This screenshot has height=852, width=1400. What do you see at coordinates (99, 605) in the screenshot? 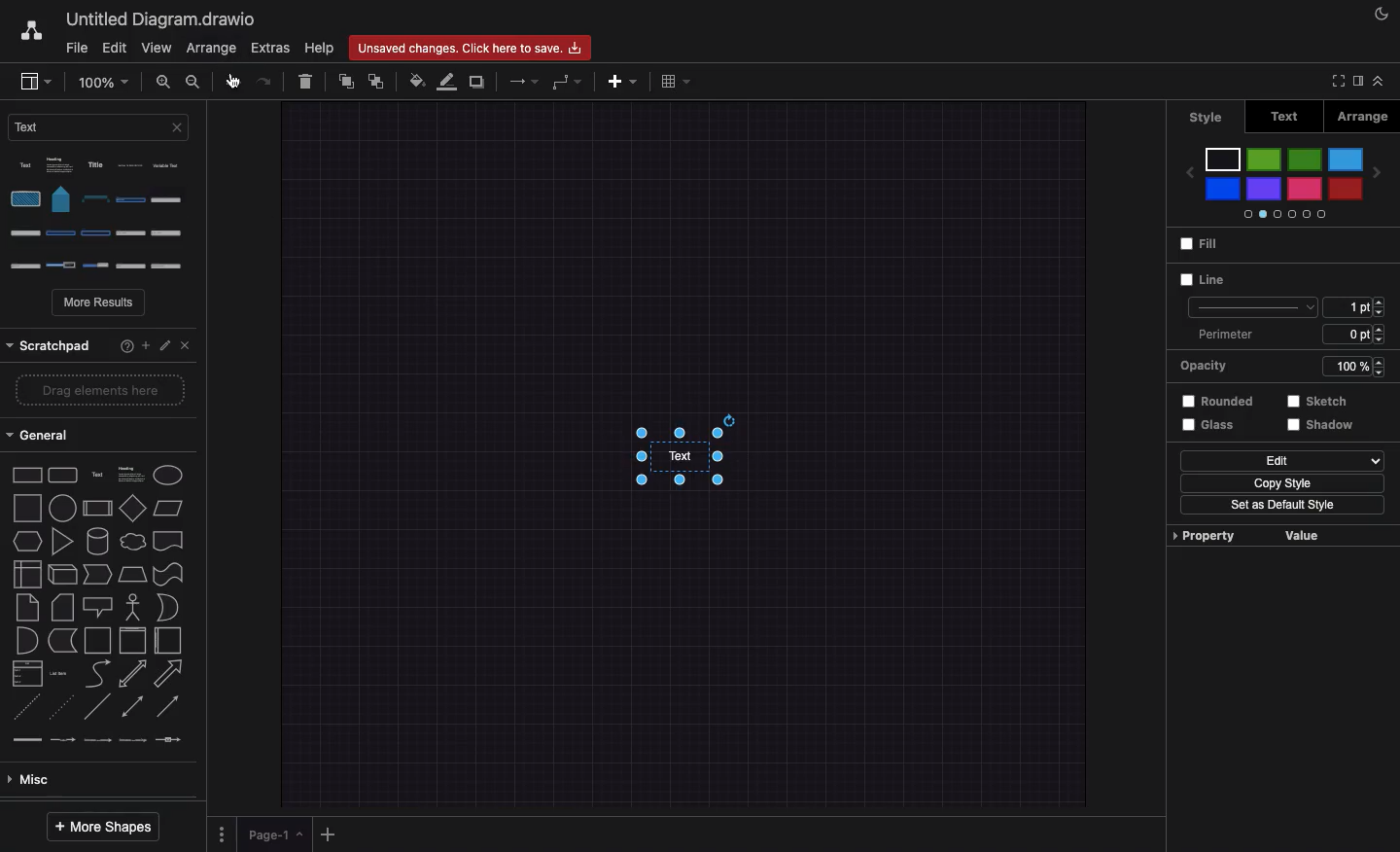
I see `Shapes` at bounding box center [99, 605].